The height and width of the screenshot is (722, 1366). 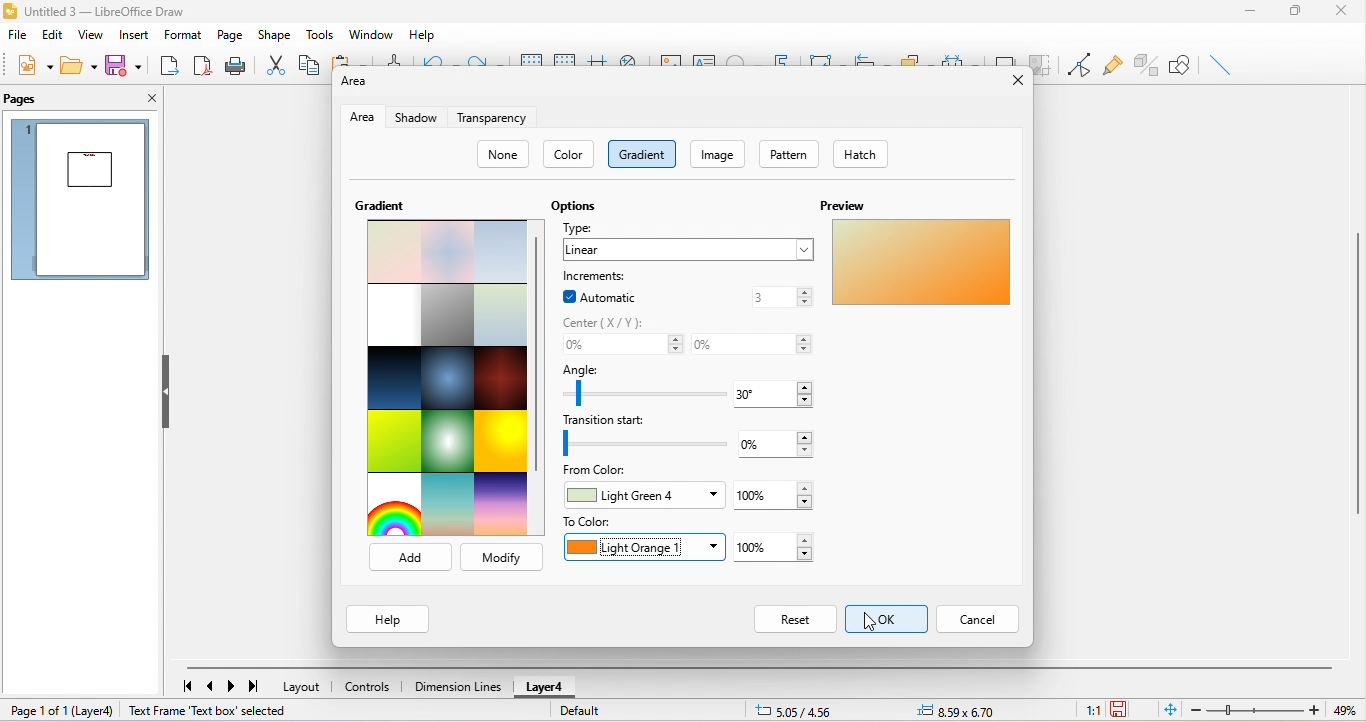 What do you see at coordinates (78, 201) in the screenshot?
I see `page preview` at bounding box center [78, 201].